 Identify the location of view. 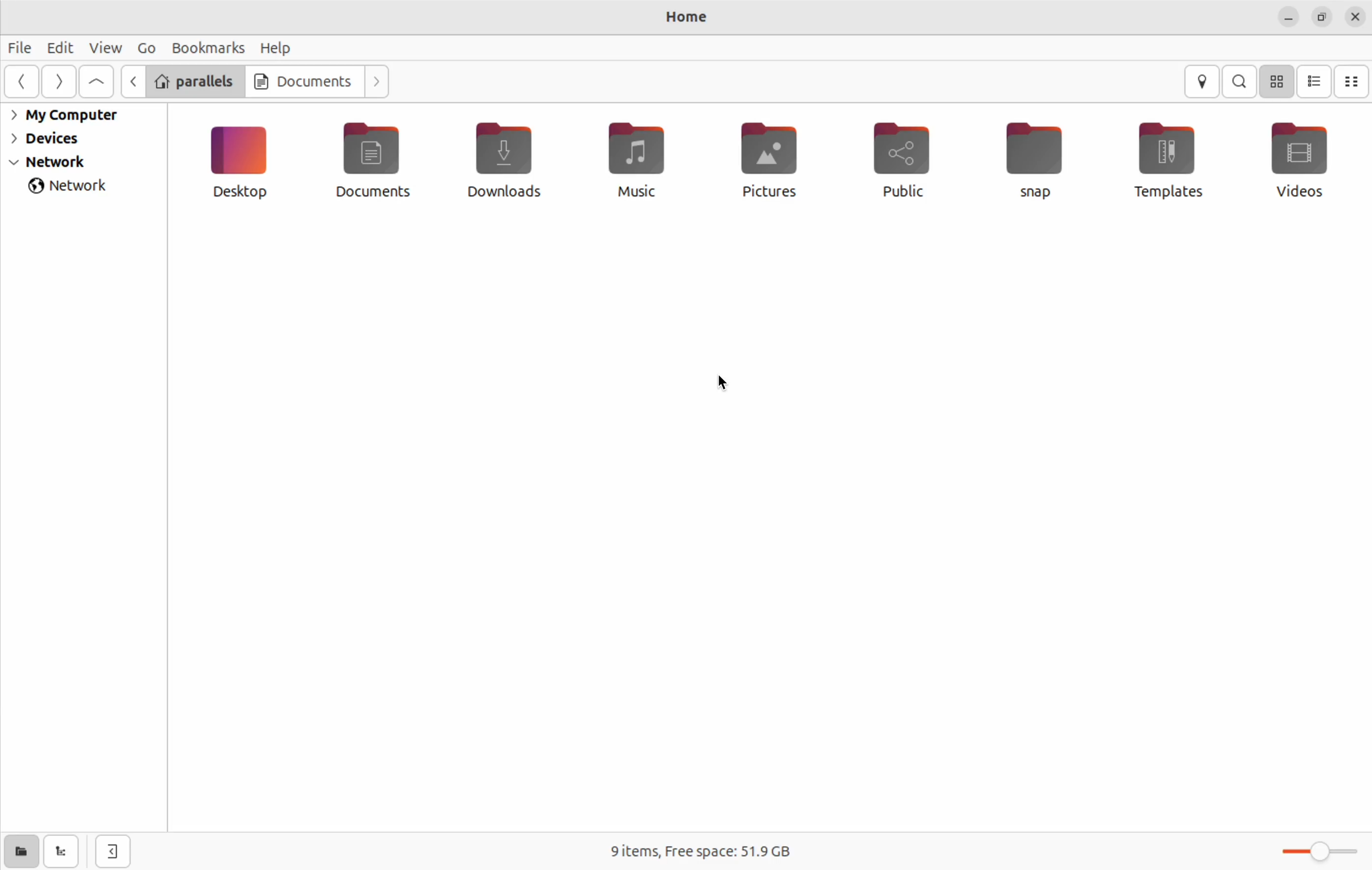
(104, 47).